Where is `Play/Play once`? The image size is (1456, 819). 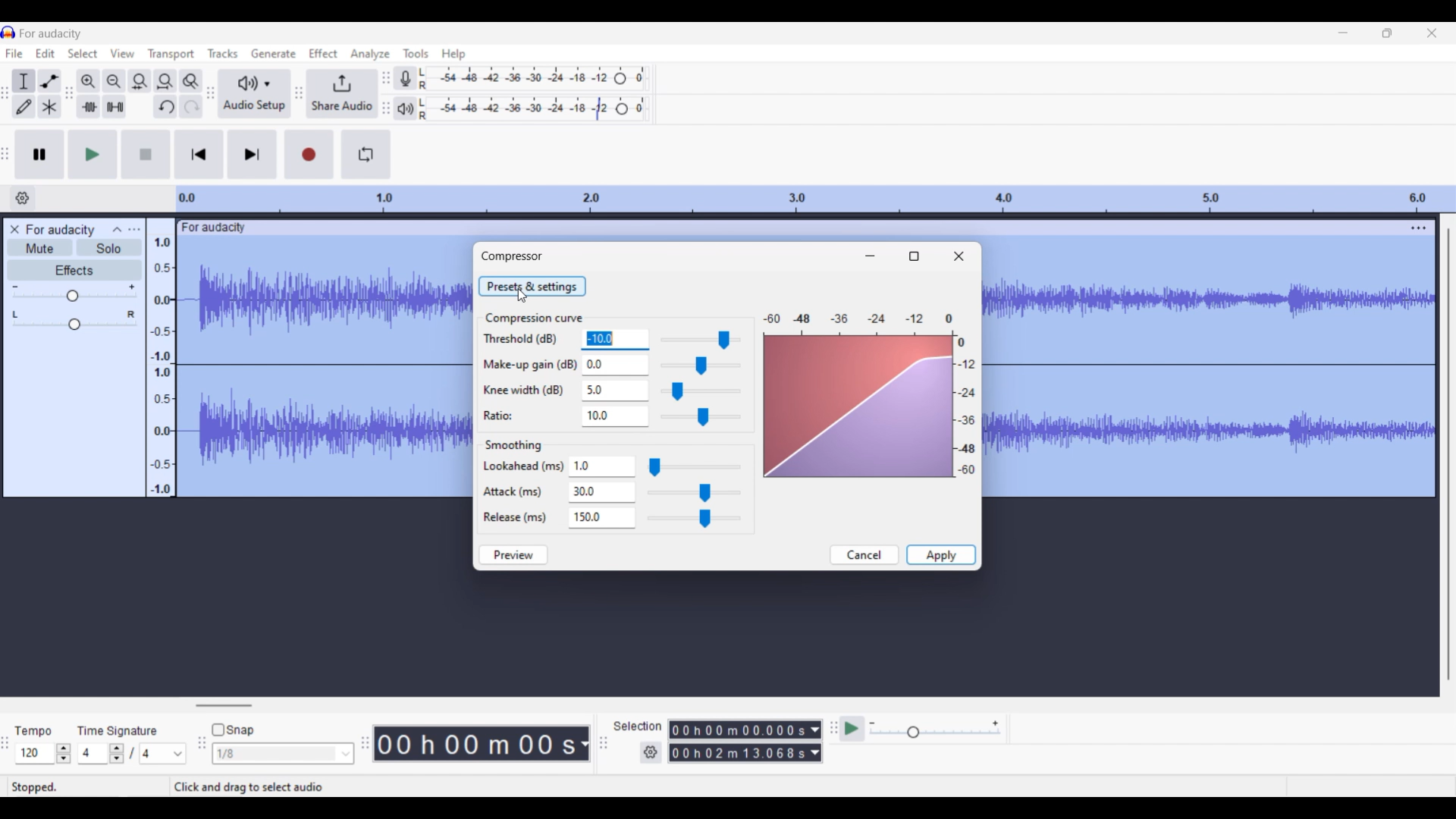 Play/Play once is located at coordinates (93, 155).